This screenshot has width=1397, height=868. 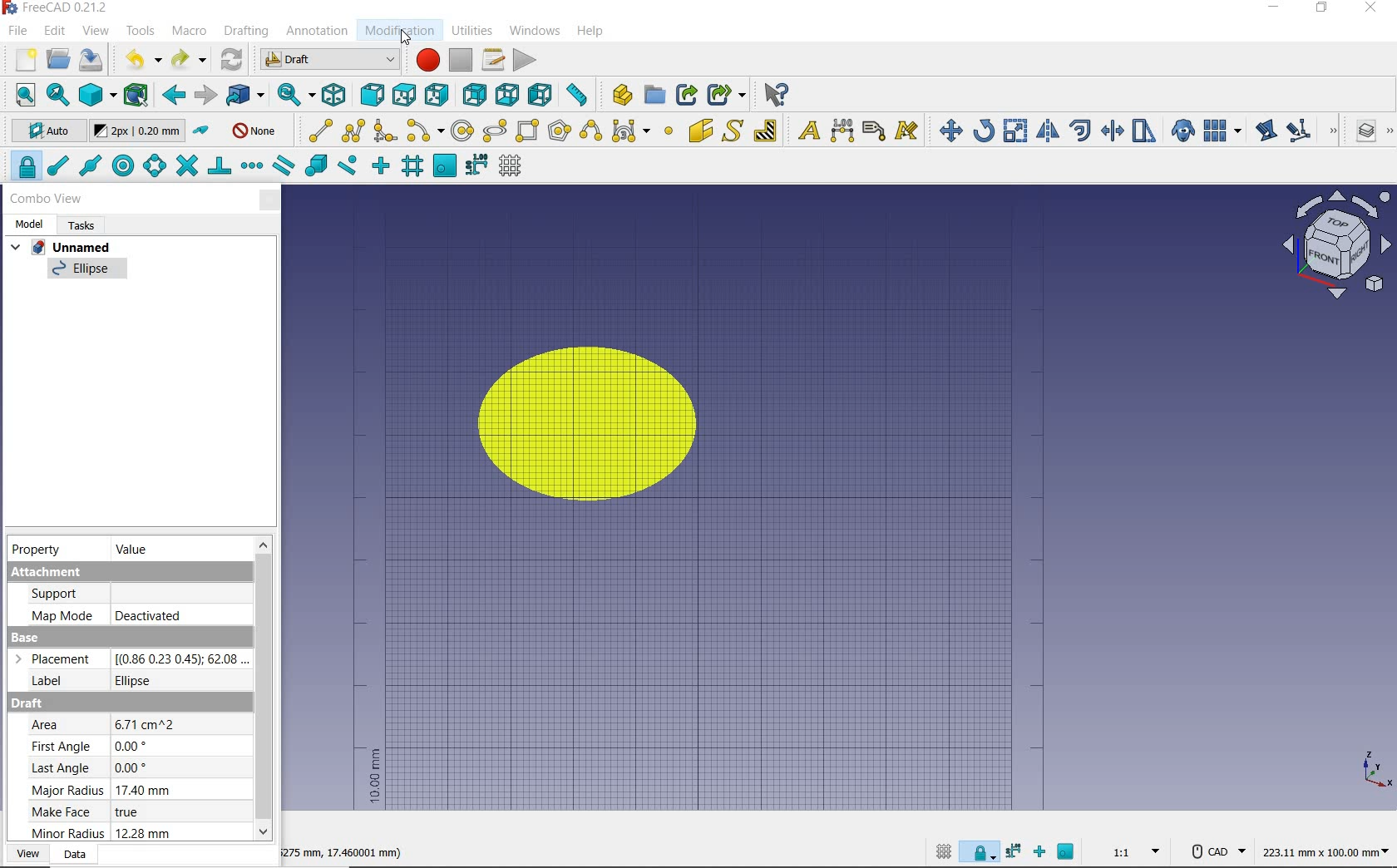 I want to click on trimex, so click(x=1112, y=131).